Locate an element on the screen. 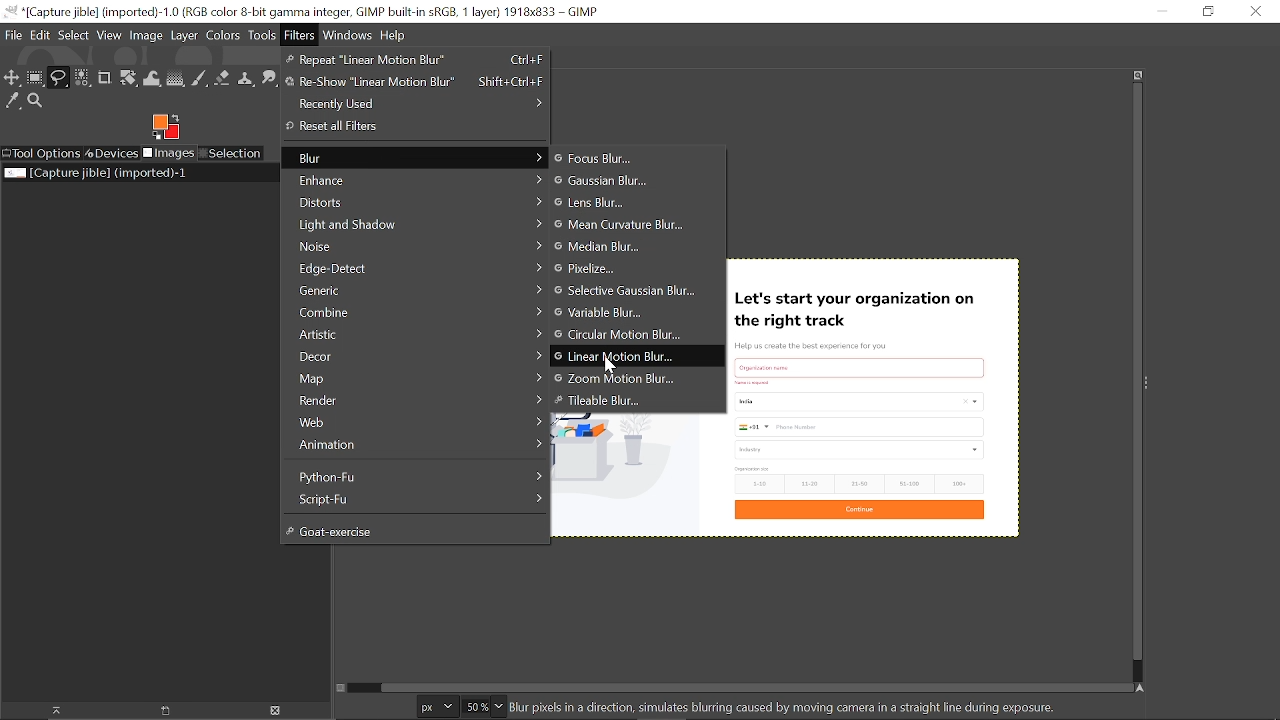 This screenshot has width=1280, height=720. Edit is located at coordinates (42, 35).